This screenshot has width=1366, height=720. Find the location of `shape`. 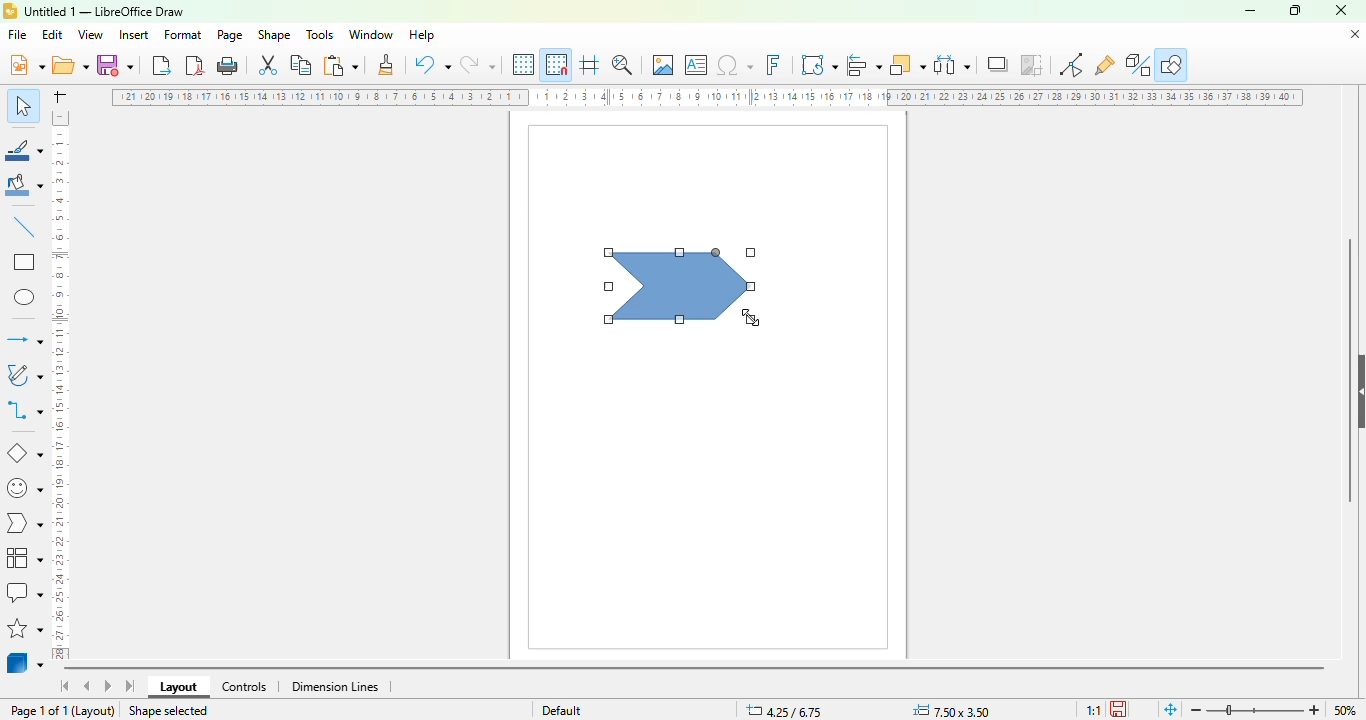

shape is located at coordinates (274, 34).